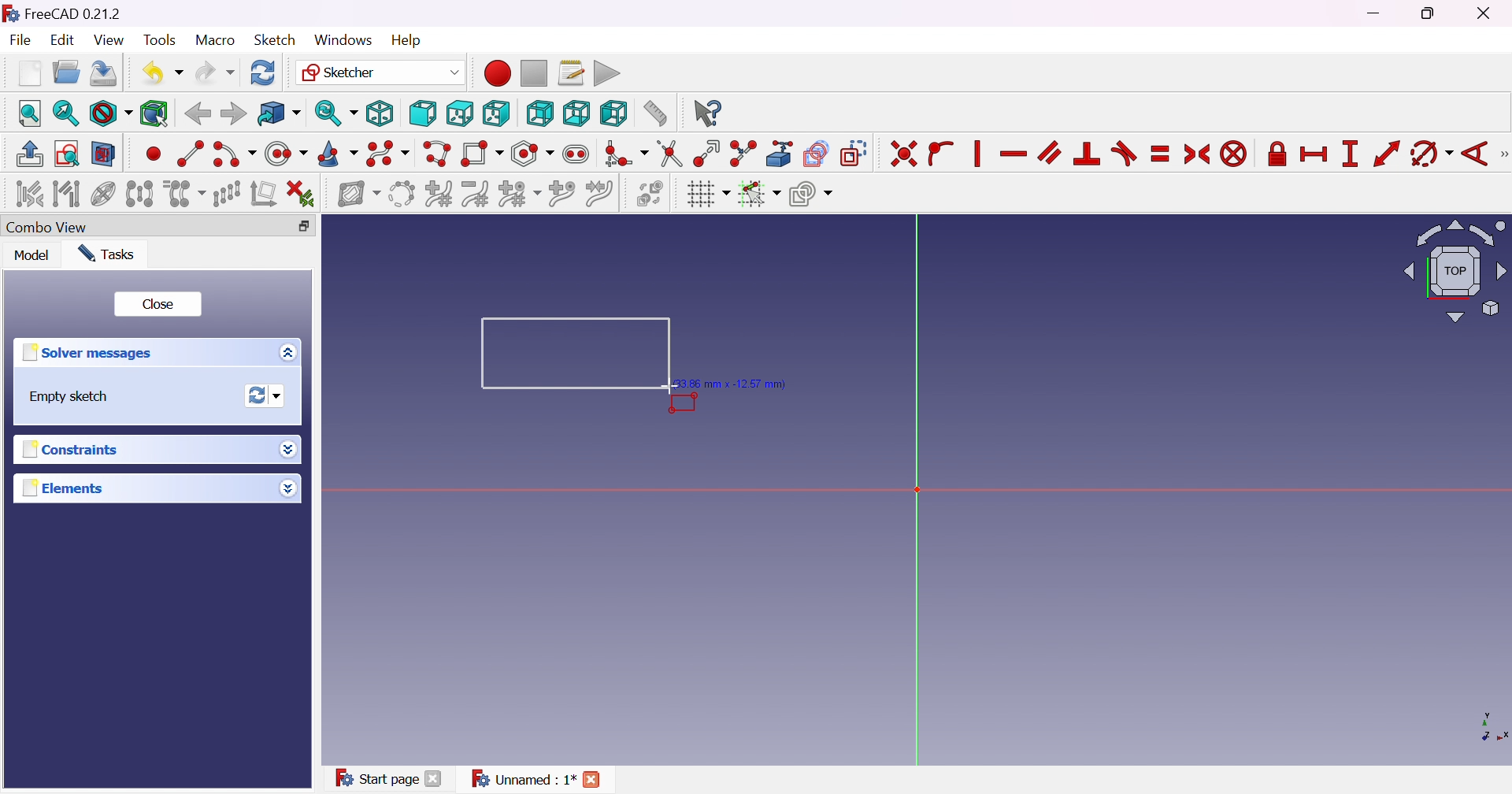 The image size is (1512, 794). Describe the element at coordinates (438, 154) in the screenshot. I see `Create polyline` at that location.